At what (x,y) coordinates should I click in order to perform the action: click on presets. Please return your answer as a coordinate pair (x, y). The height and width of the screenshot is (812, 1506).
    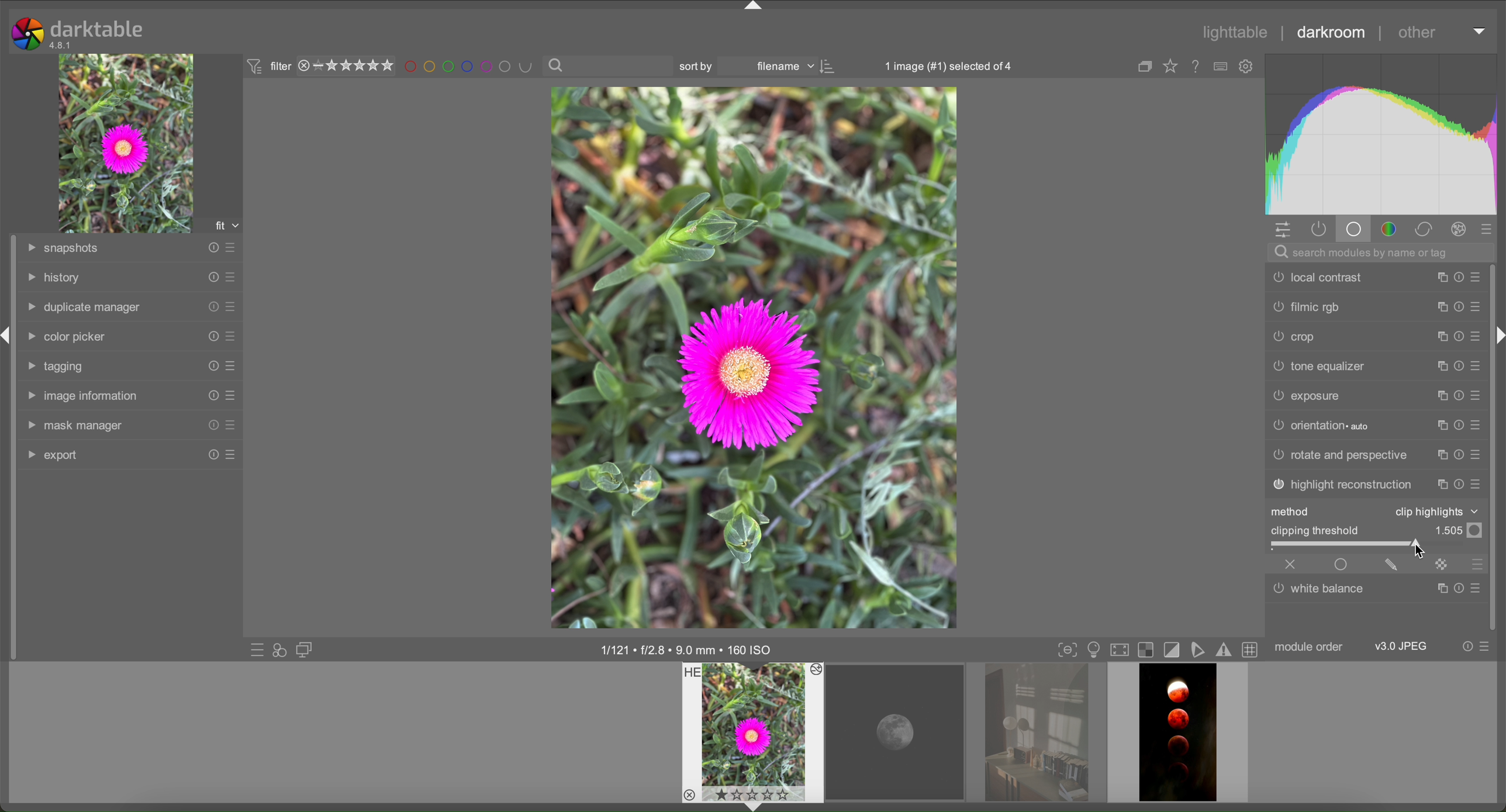
    Looking at the image, I should click on (1477, 397).